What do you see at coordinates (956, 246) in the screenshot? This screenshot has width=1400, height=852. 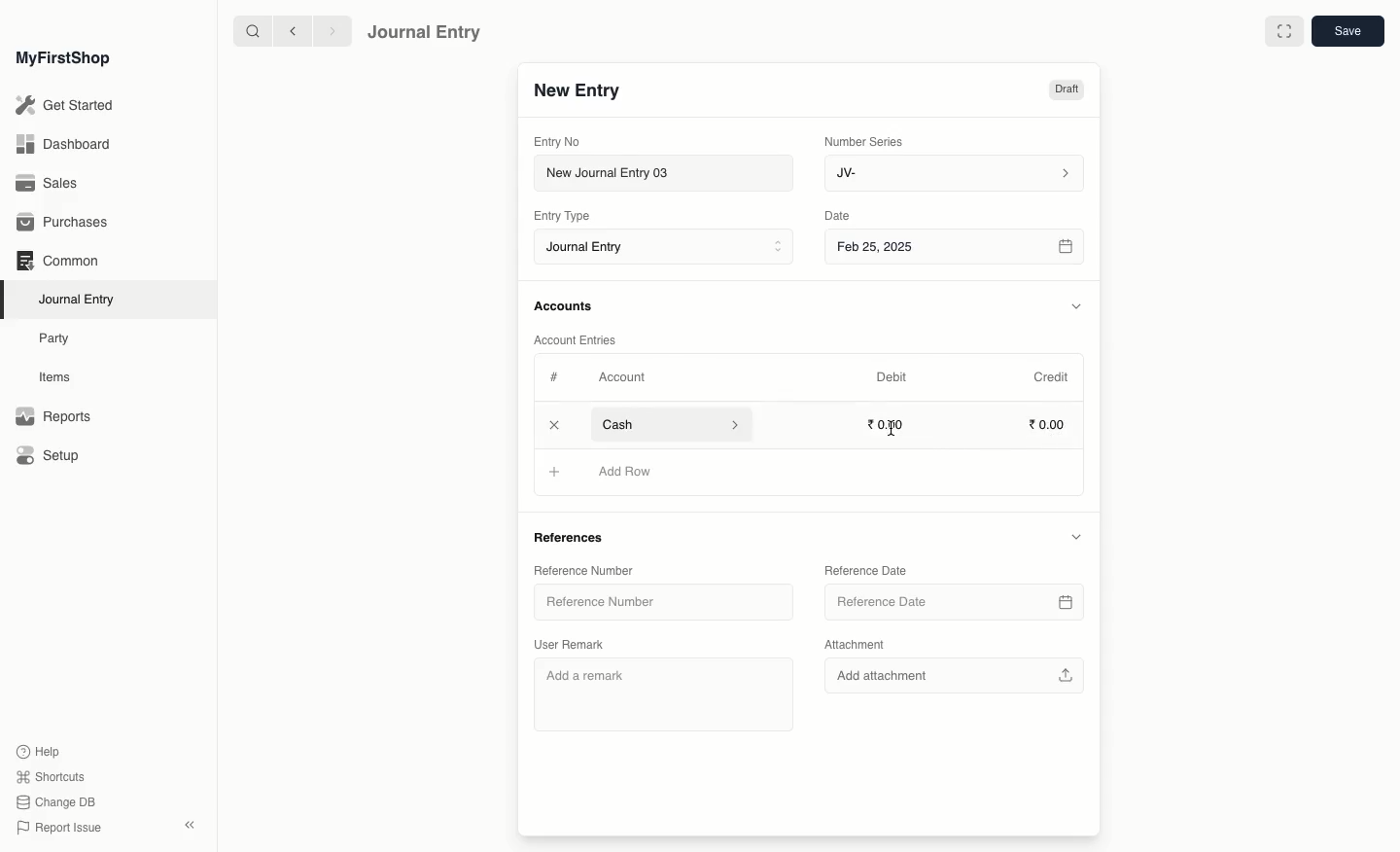 I see `Feb 25, 2025 8` at bounding box center [956, 246].